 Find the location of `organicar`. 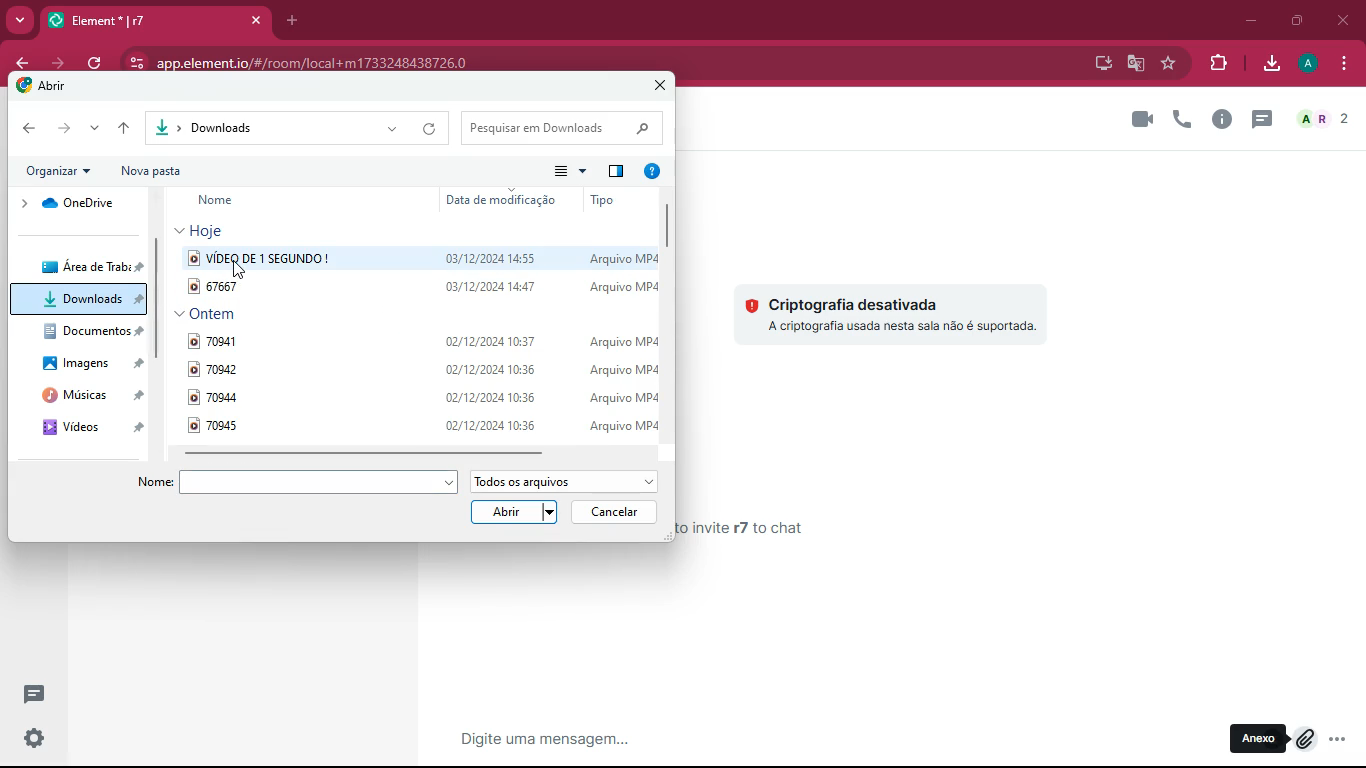

organicar is located at coordinates (60, 173).